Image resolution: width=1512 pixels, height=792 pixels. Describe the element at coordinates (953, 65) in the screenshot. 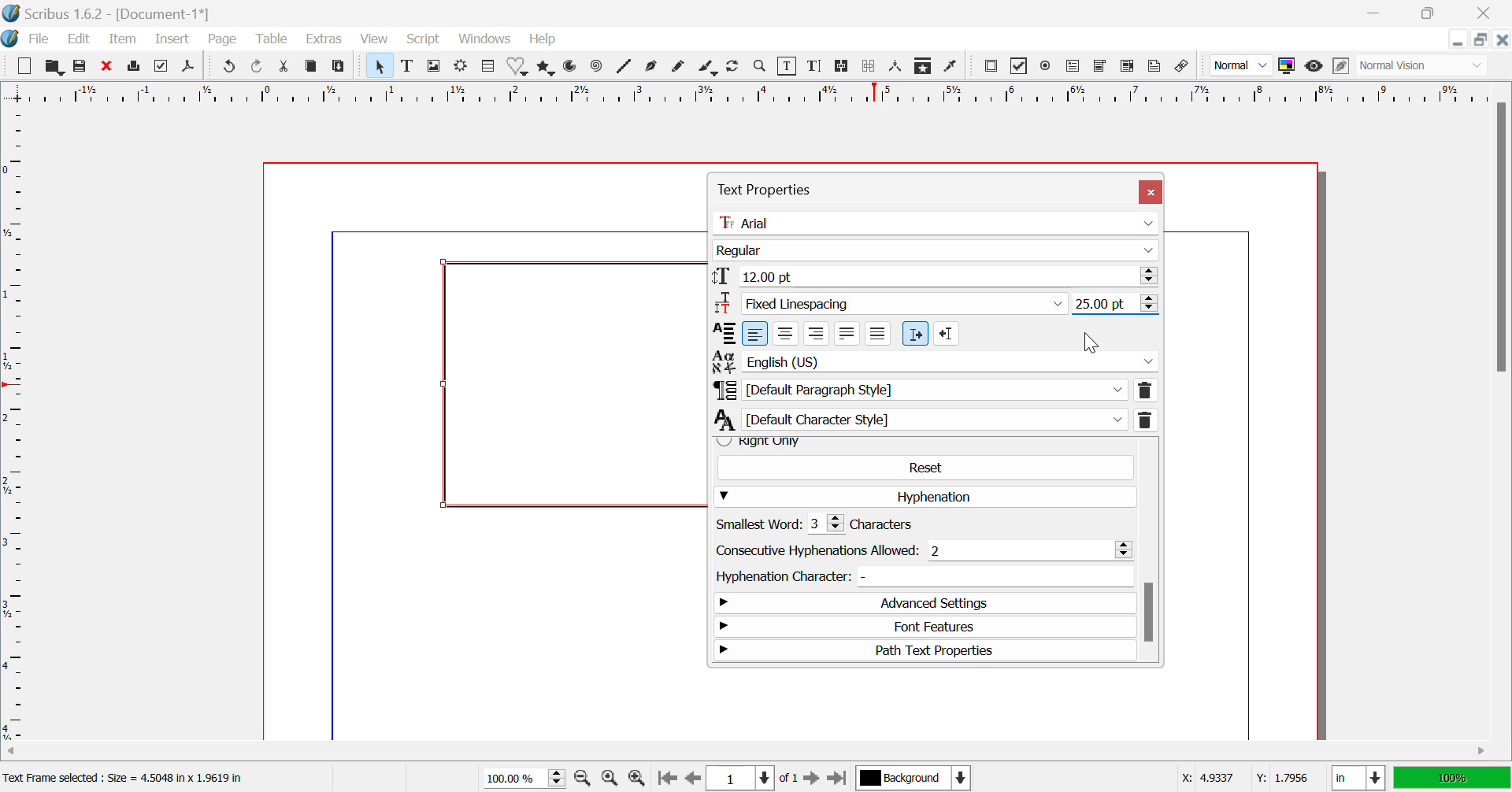

I see `Eyedropper` at that location.